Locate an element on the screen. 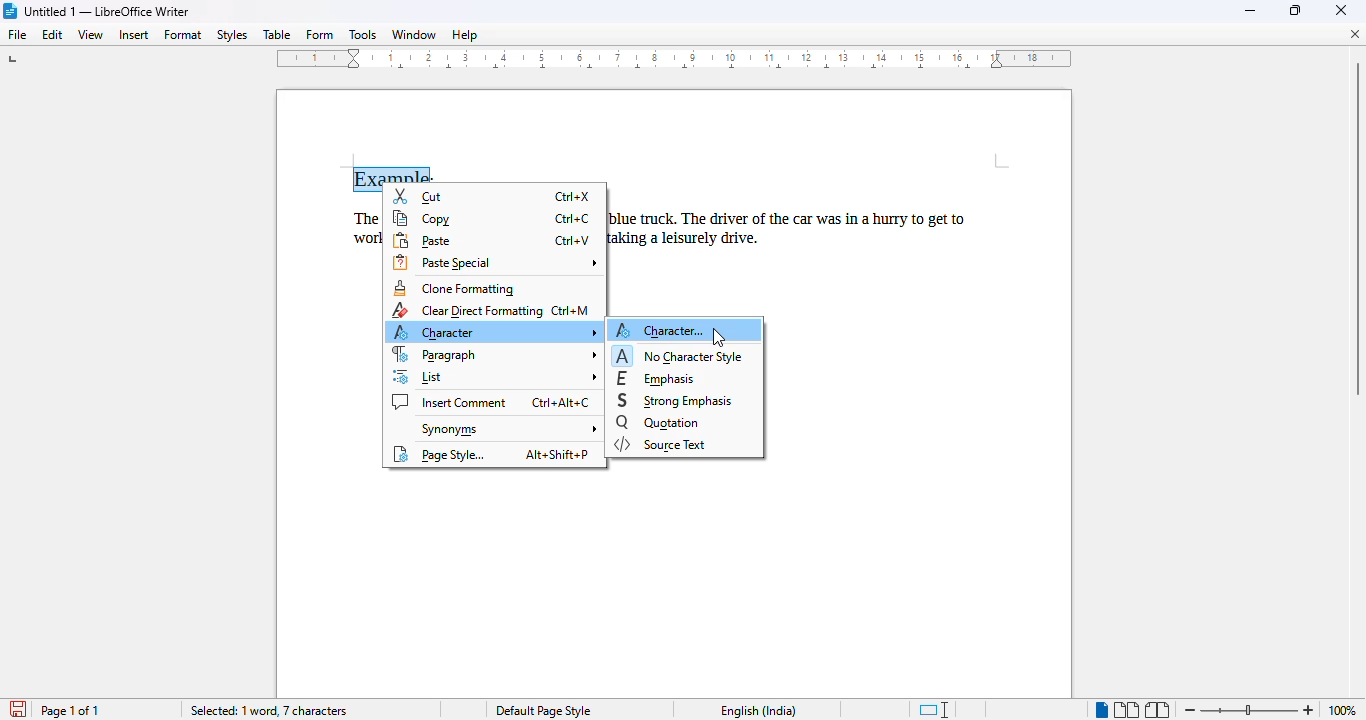  Alt+Shift+P is located at coordinates (557, 455).